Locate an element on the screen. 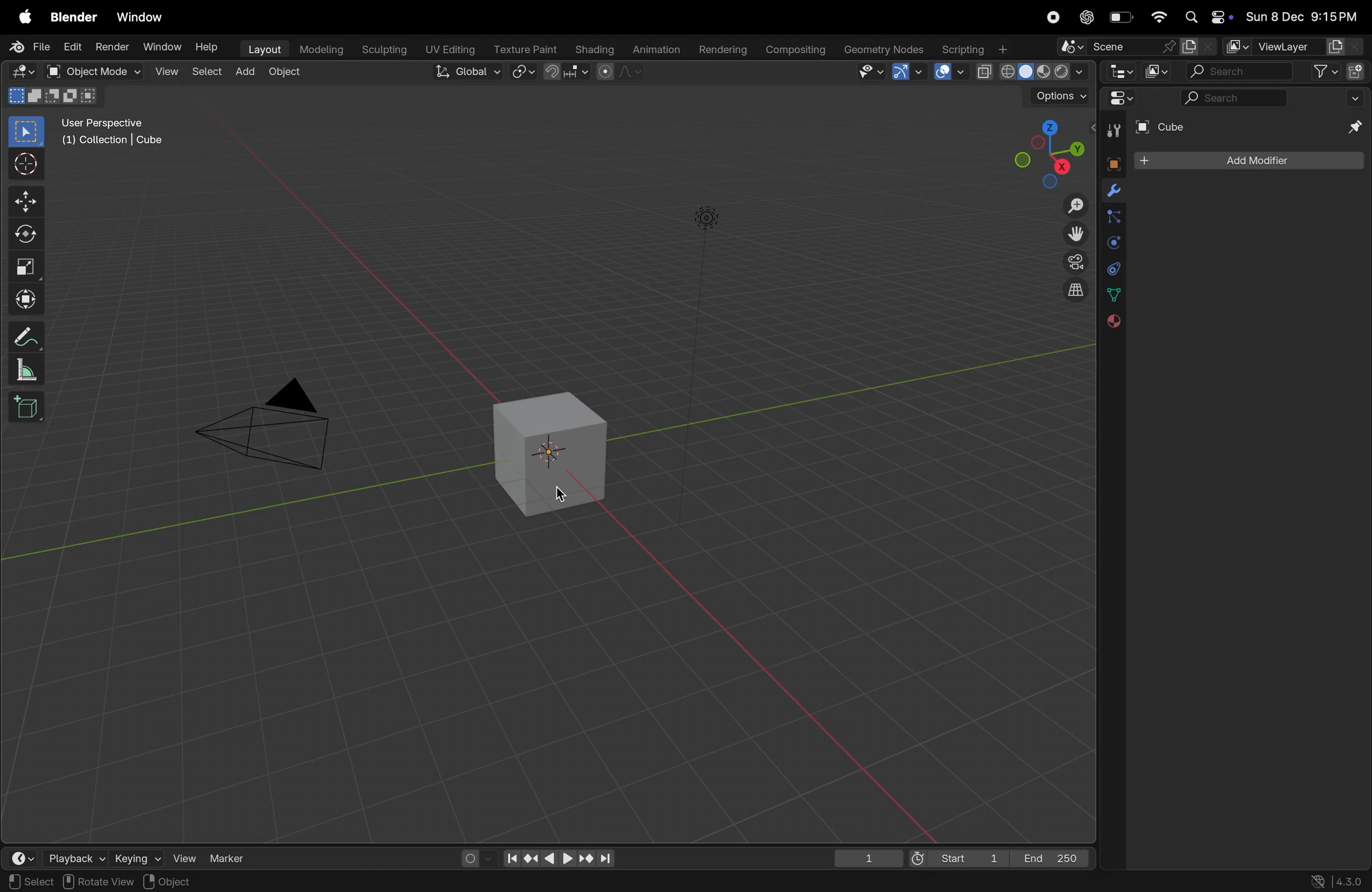  apple widgets is located at coordinates (1205, 18).